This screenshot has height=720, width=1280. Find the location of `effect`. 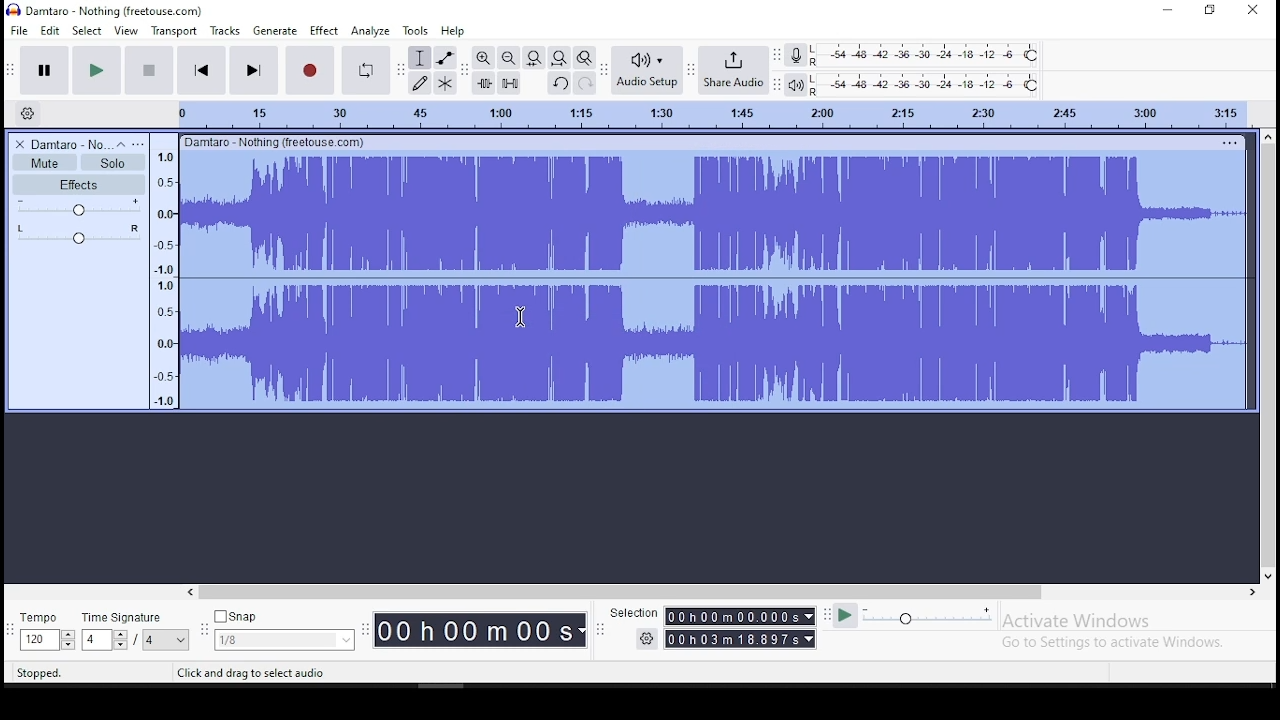

effect is located at coordinates (325, 32).